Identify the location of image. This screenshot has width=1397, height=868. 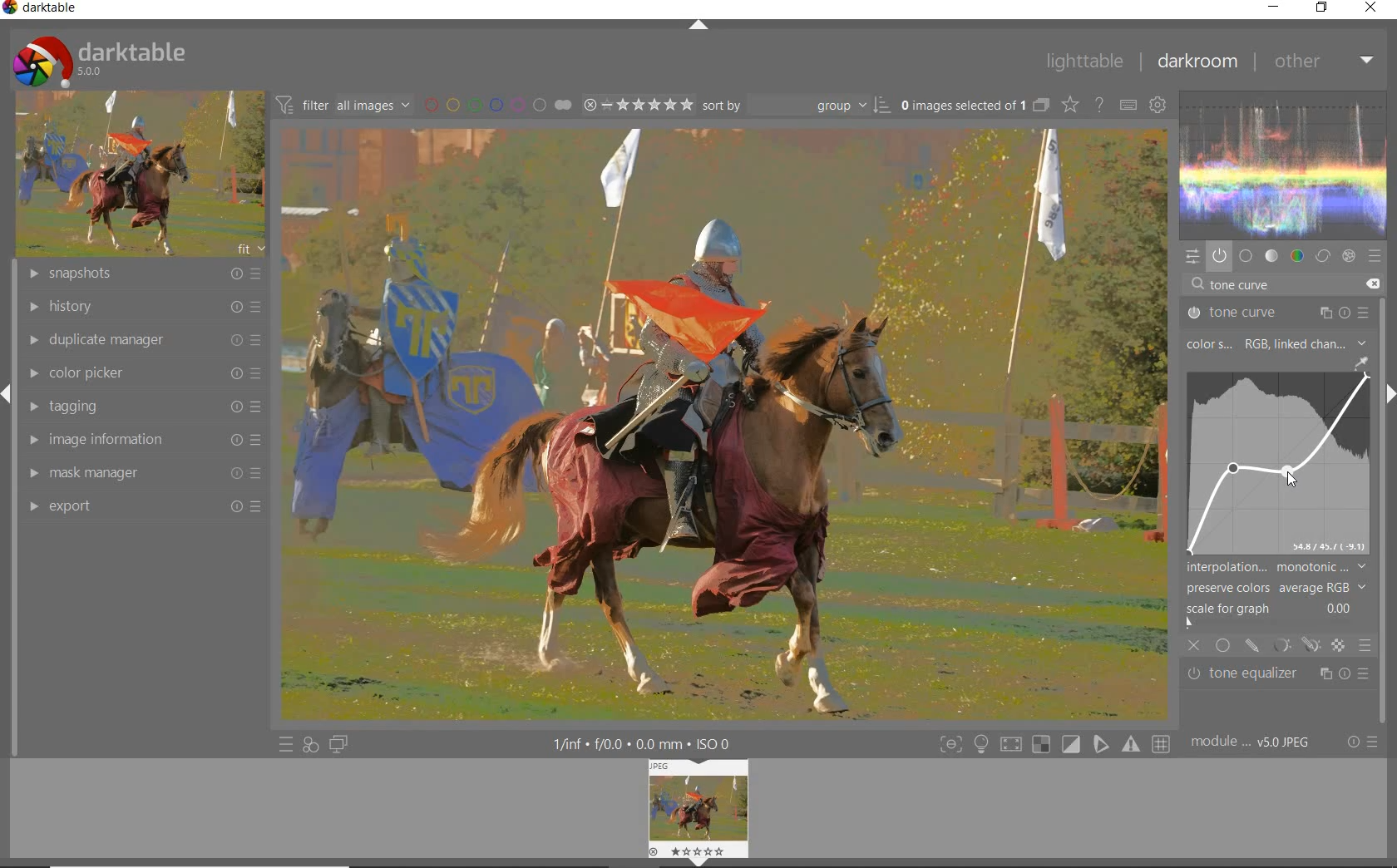
(136, 175).